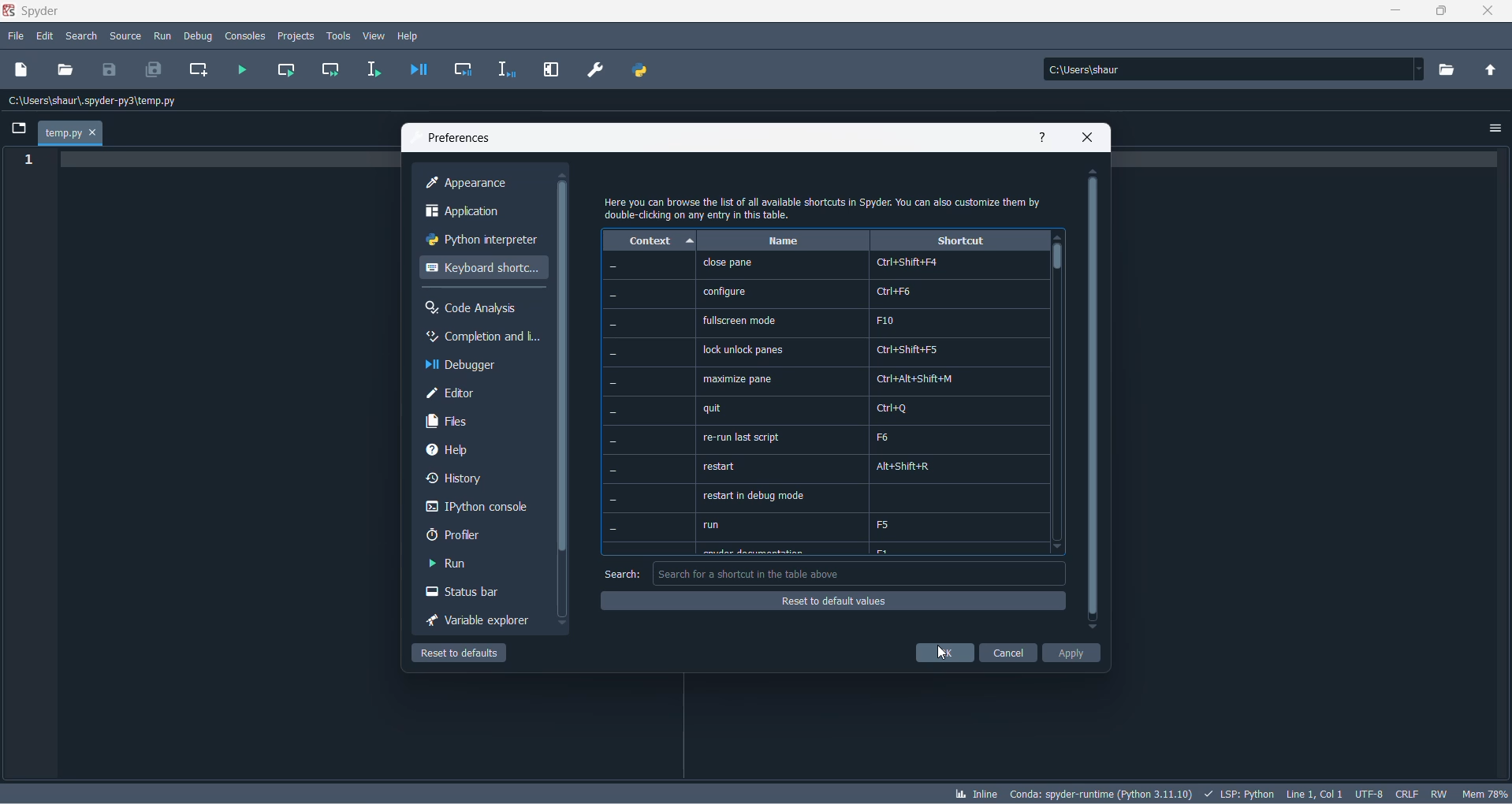  Describe the element at coordinates (975, 795) in the screenshot. I see `inline` at that location.